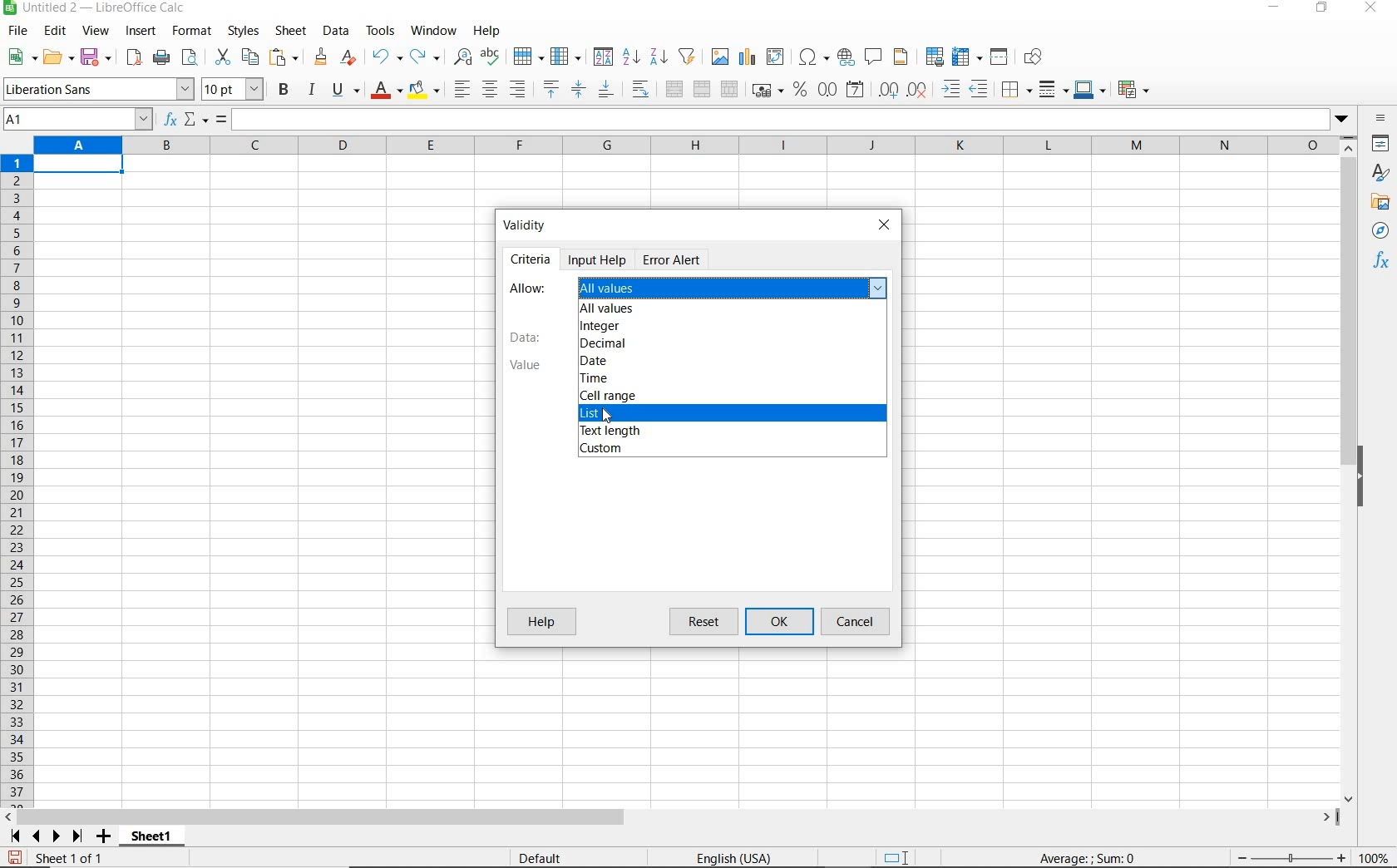  I want to click on cancel, so click(857, 622).